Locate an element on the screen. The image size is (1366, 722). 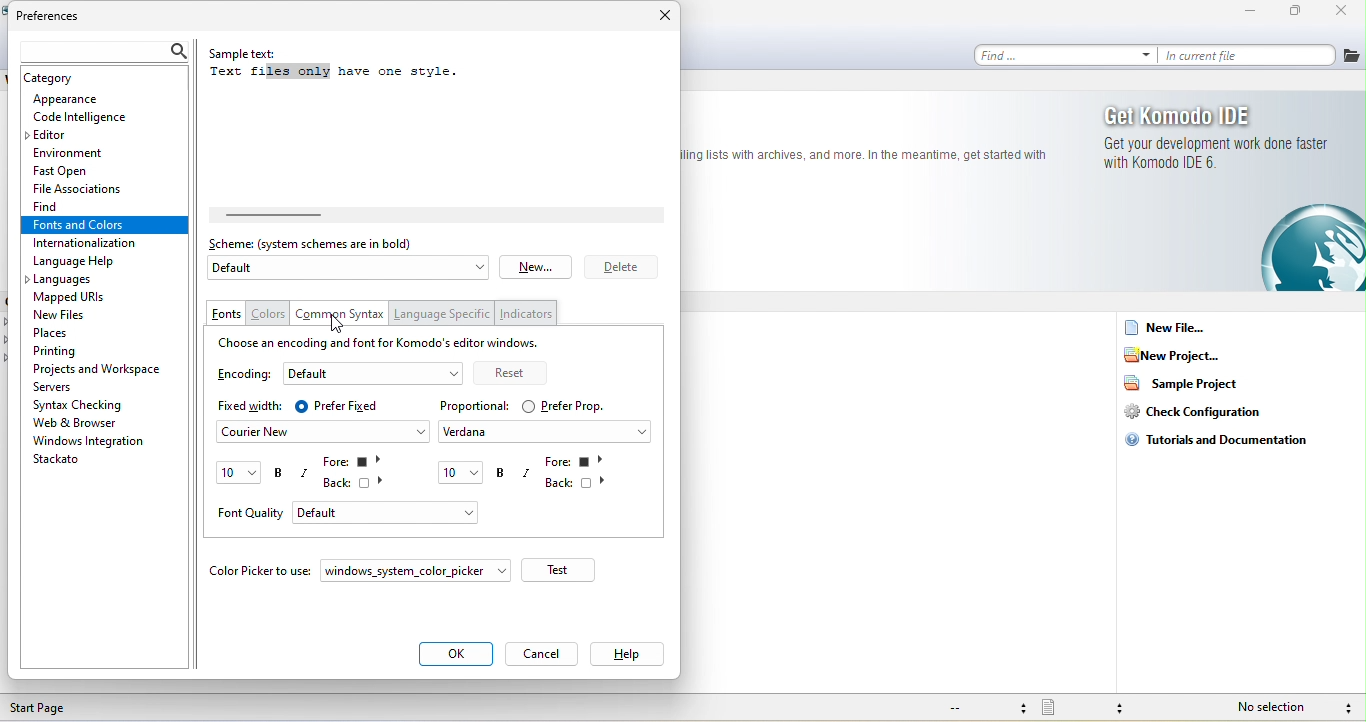
bold is located at coordinates (281, 476).